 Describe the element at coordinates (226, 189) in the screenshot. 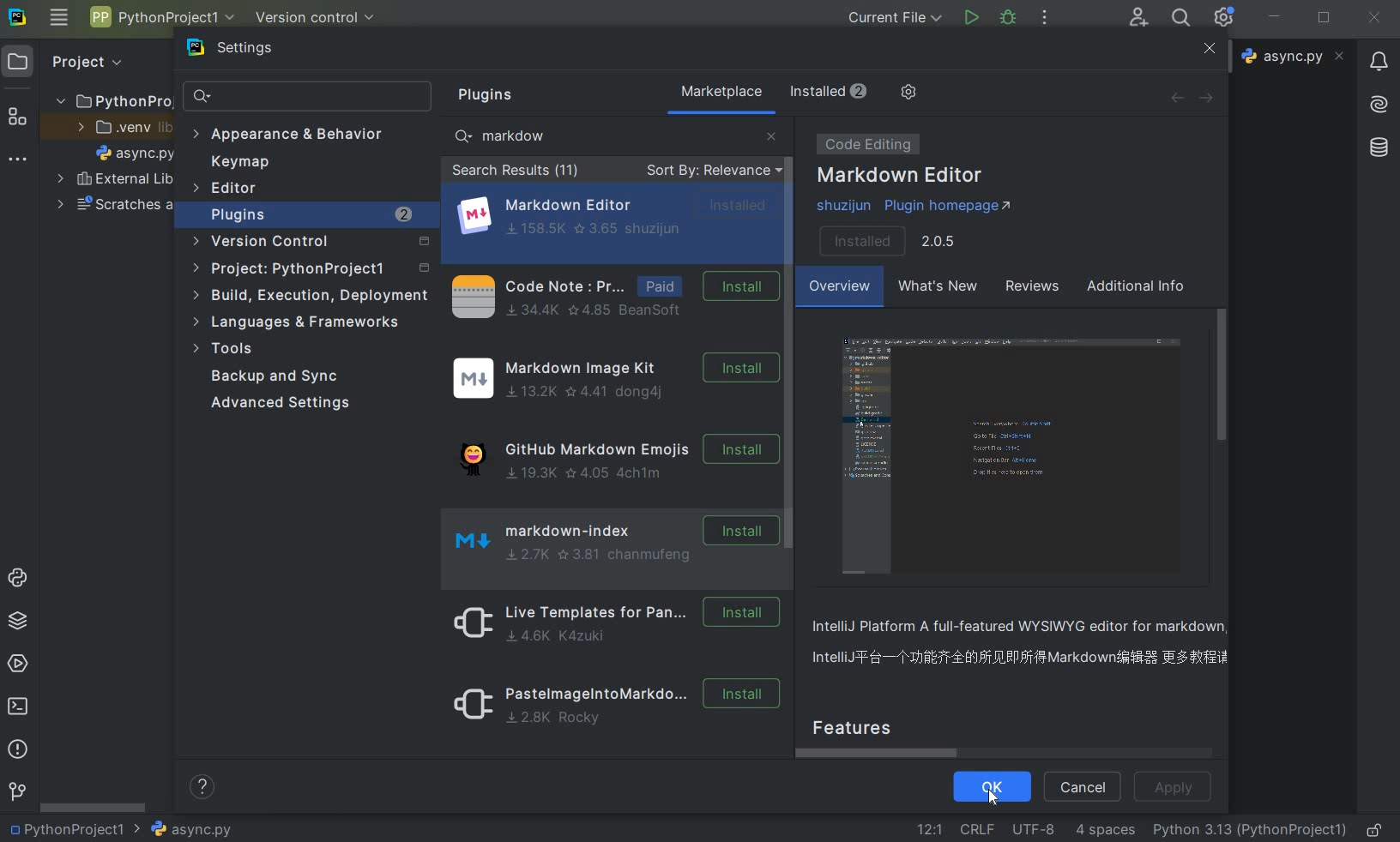

I see `Editor` at that location.